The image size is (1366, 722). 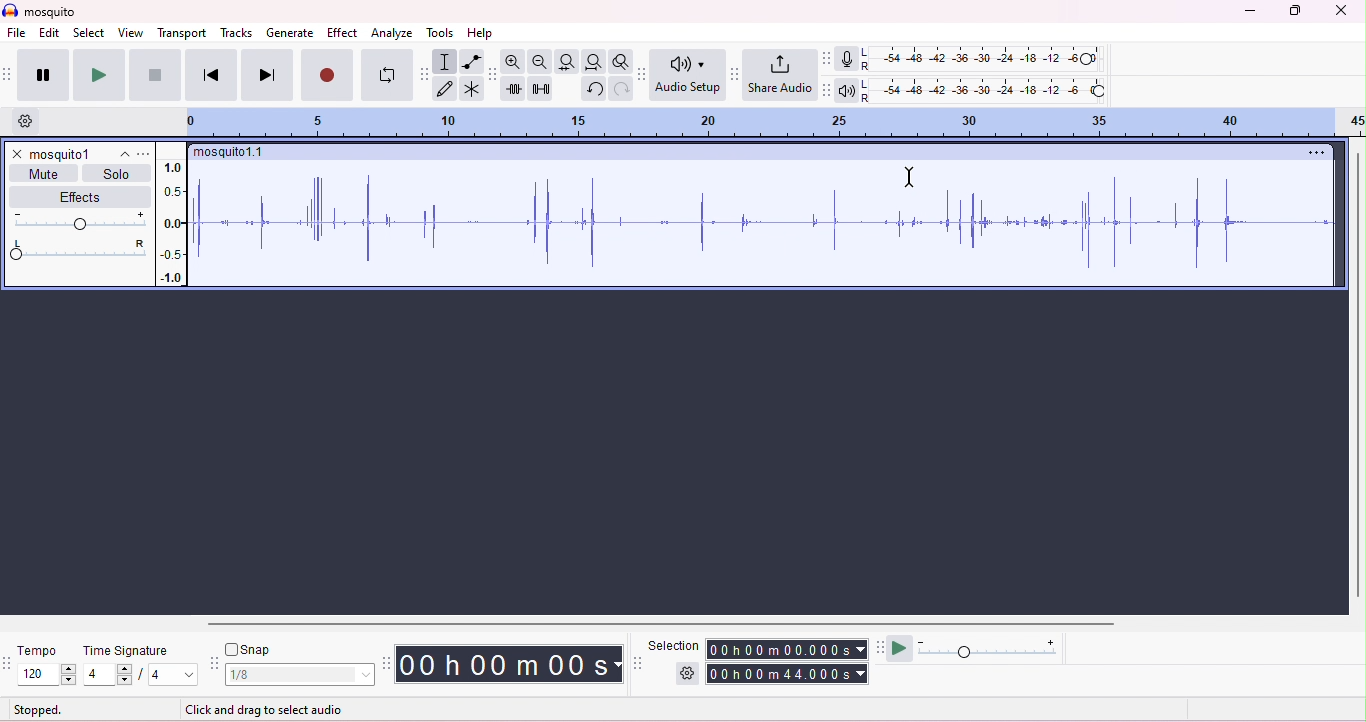 What do you see at coordinates (538, 62) in the screenshot?
I see `zoom in` at bounding box center [538, 62].